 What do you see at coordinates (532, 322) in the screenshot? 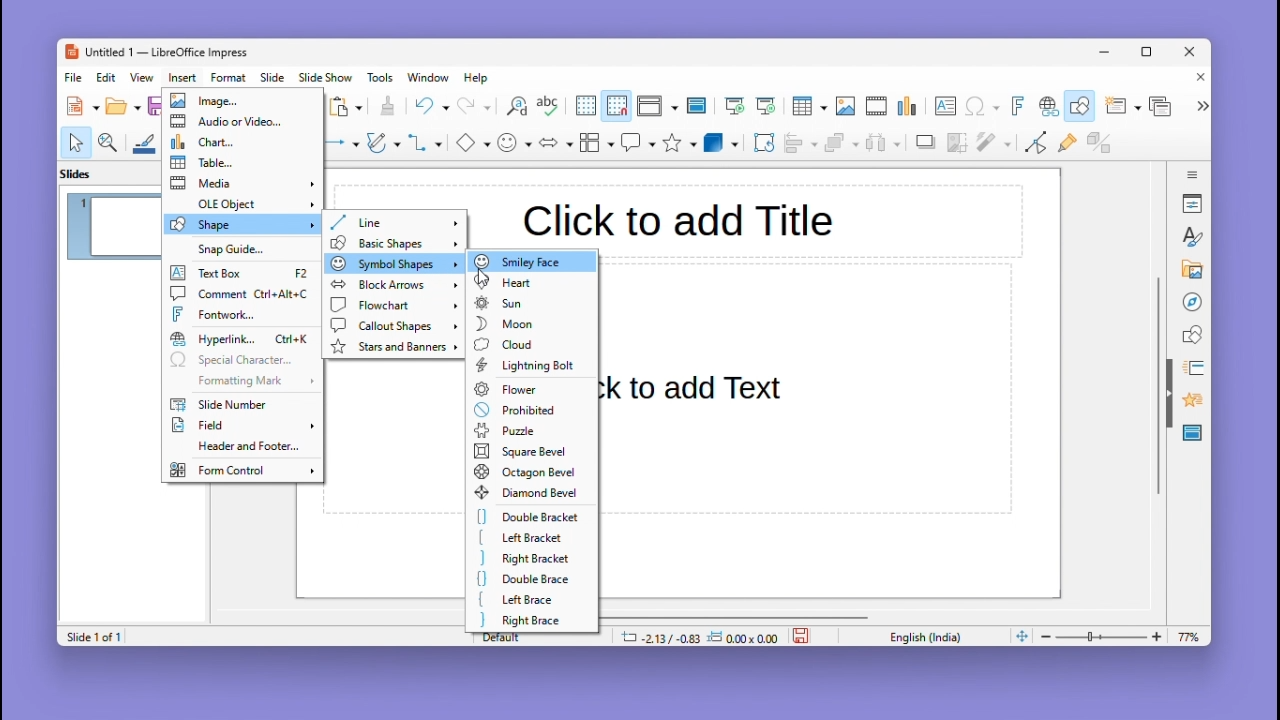
I see `Moon` at bounding box center [532, 322].